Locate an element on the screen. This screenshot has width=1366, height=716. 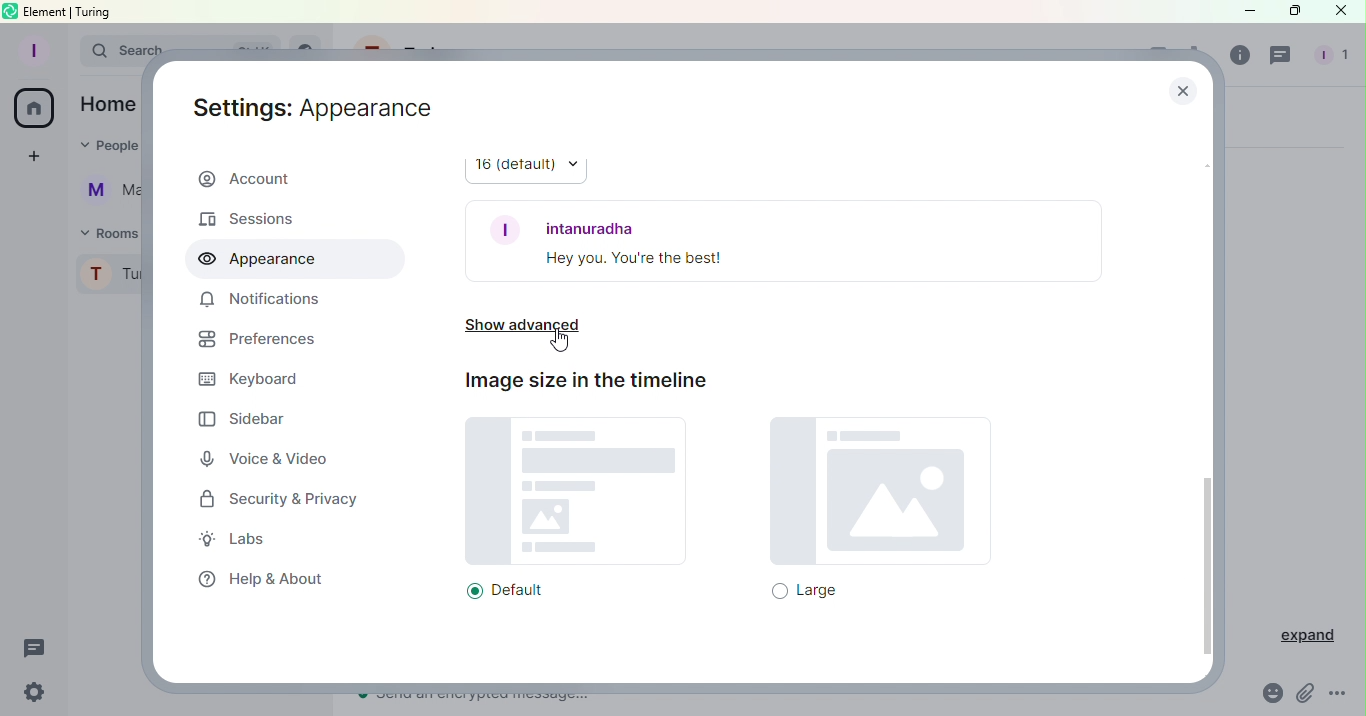
Threads is located at coordinates (1278, 58).